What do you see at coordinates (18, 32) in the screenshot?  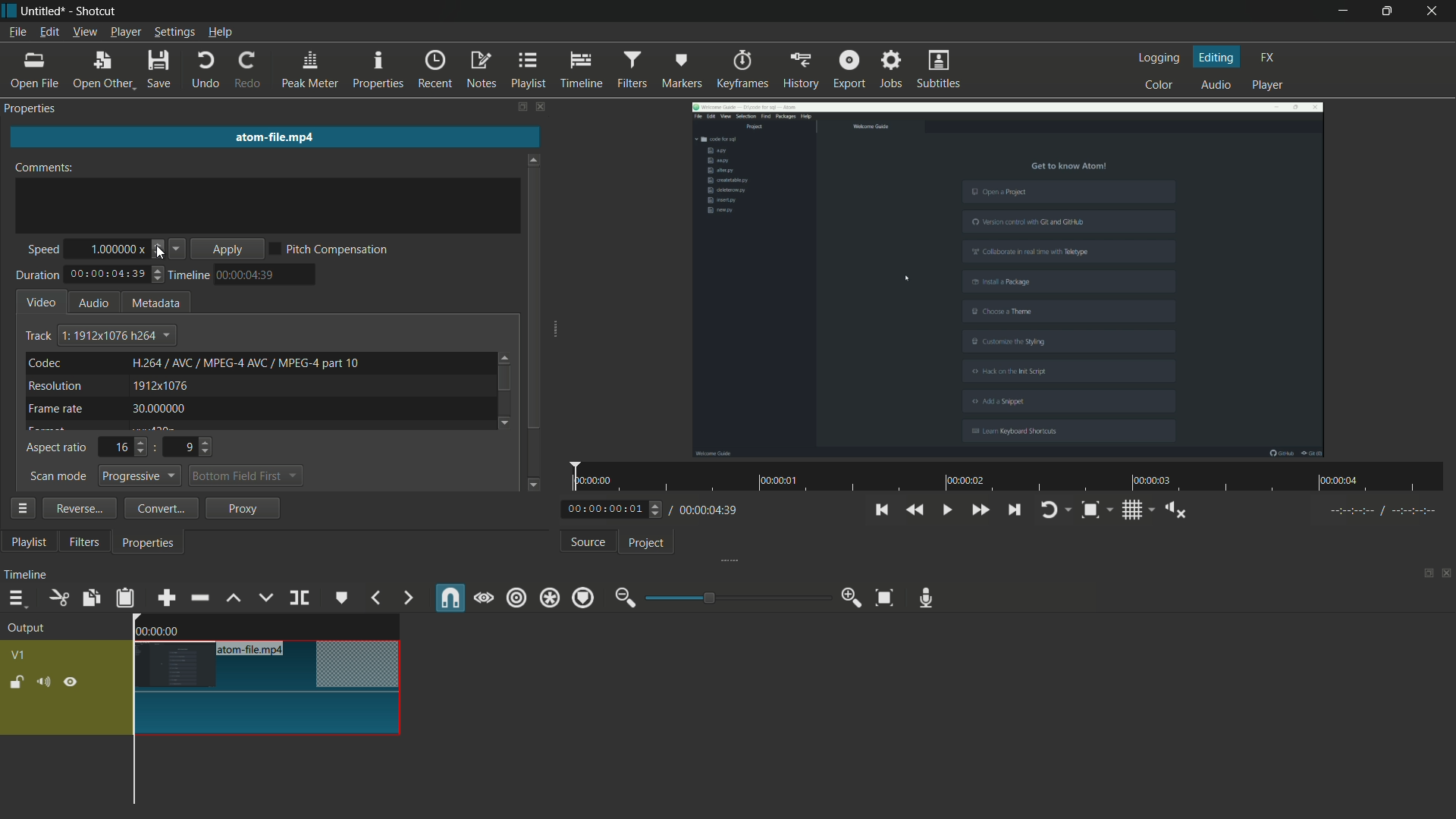 I see `file menu` at bounding box center [18, 32].